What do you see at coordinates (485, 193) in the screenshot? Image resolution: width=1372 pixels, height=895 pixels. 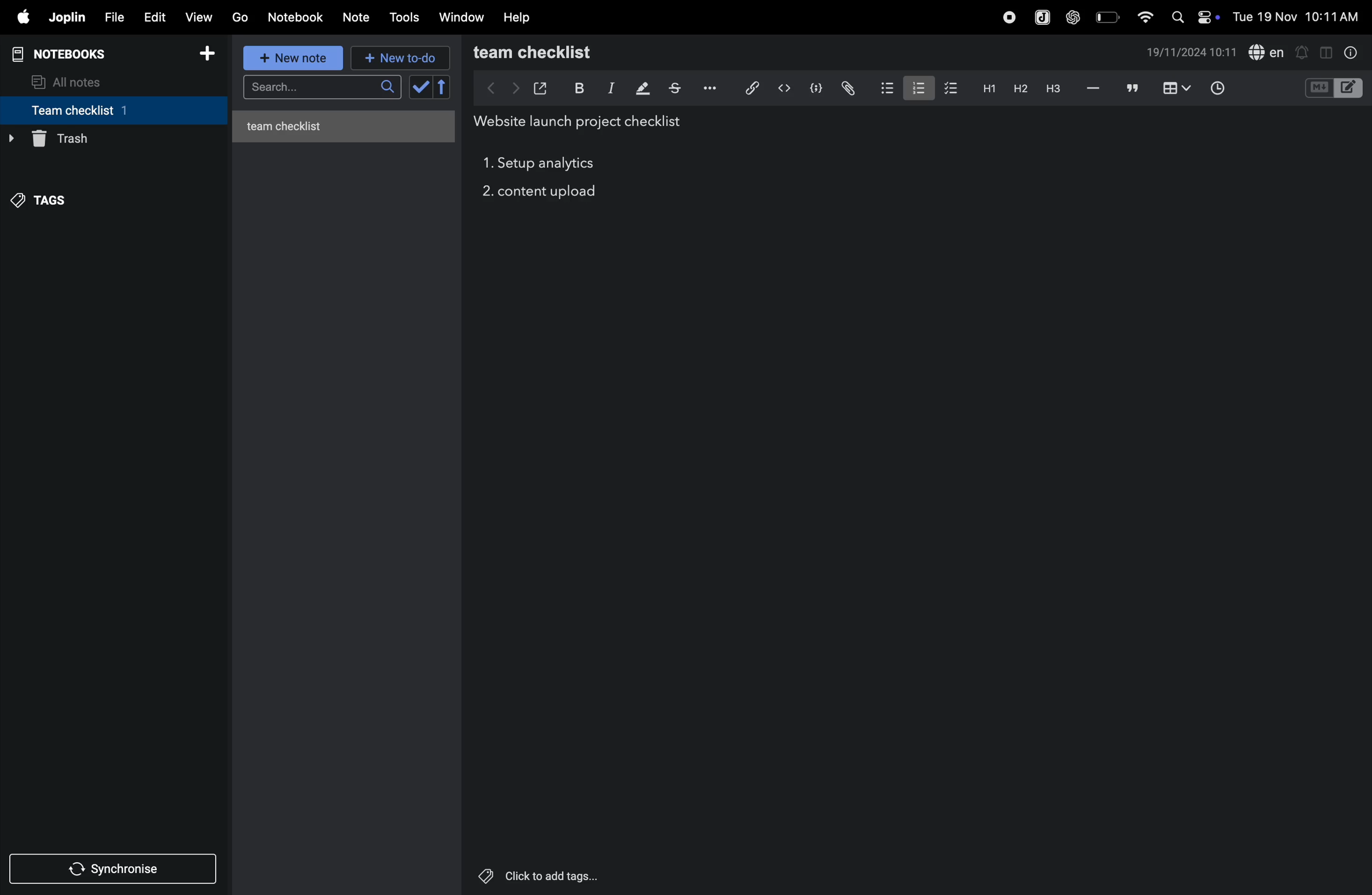 I see `task 2` at bounding box center [485, 193].